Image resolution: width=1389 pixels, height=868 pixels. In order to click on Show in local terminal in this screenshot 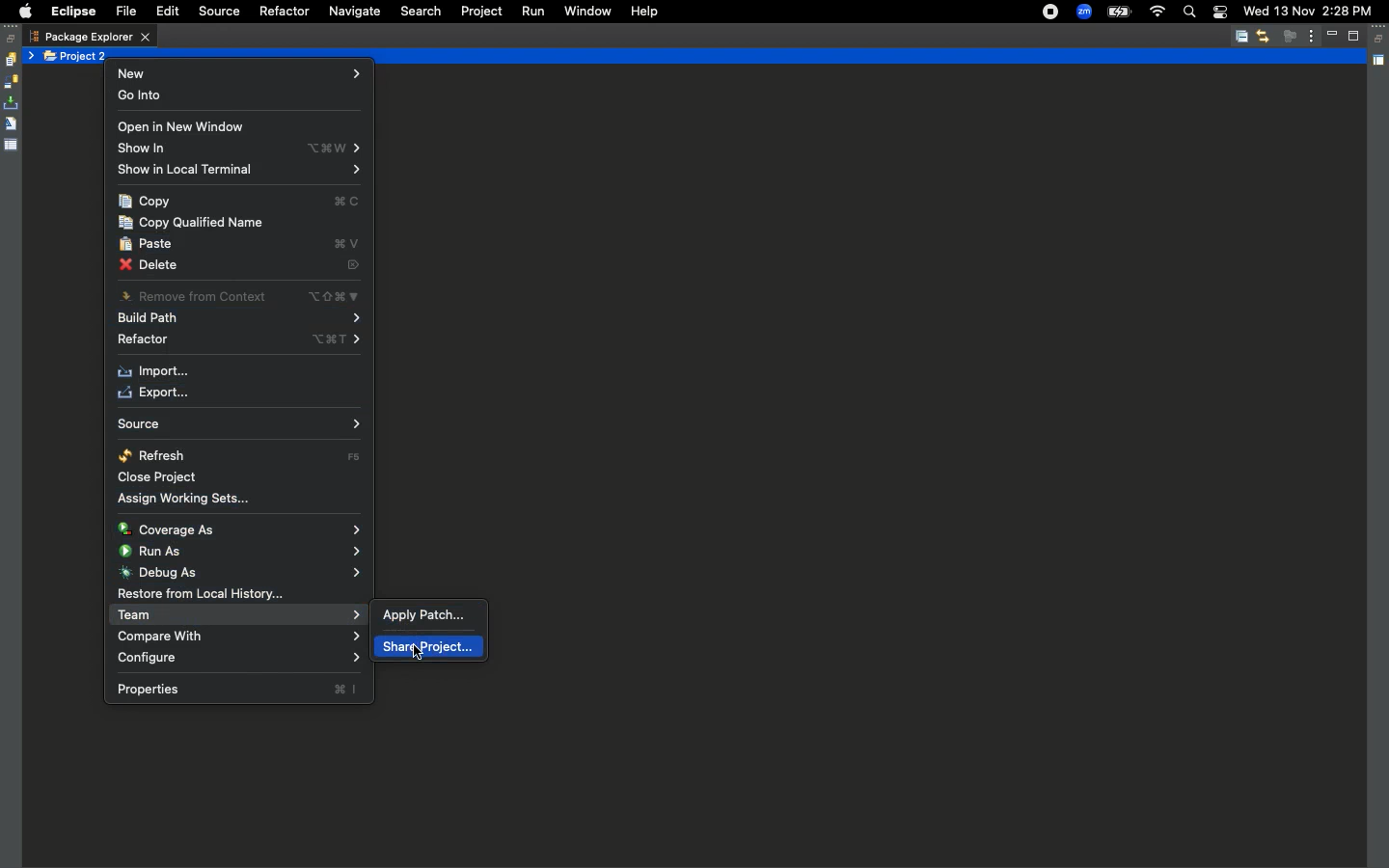, I will do `click(238, 171)`.